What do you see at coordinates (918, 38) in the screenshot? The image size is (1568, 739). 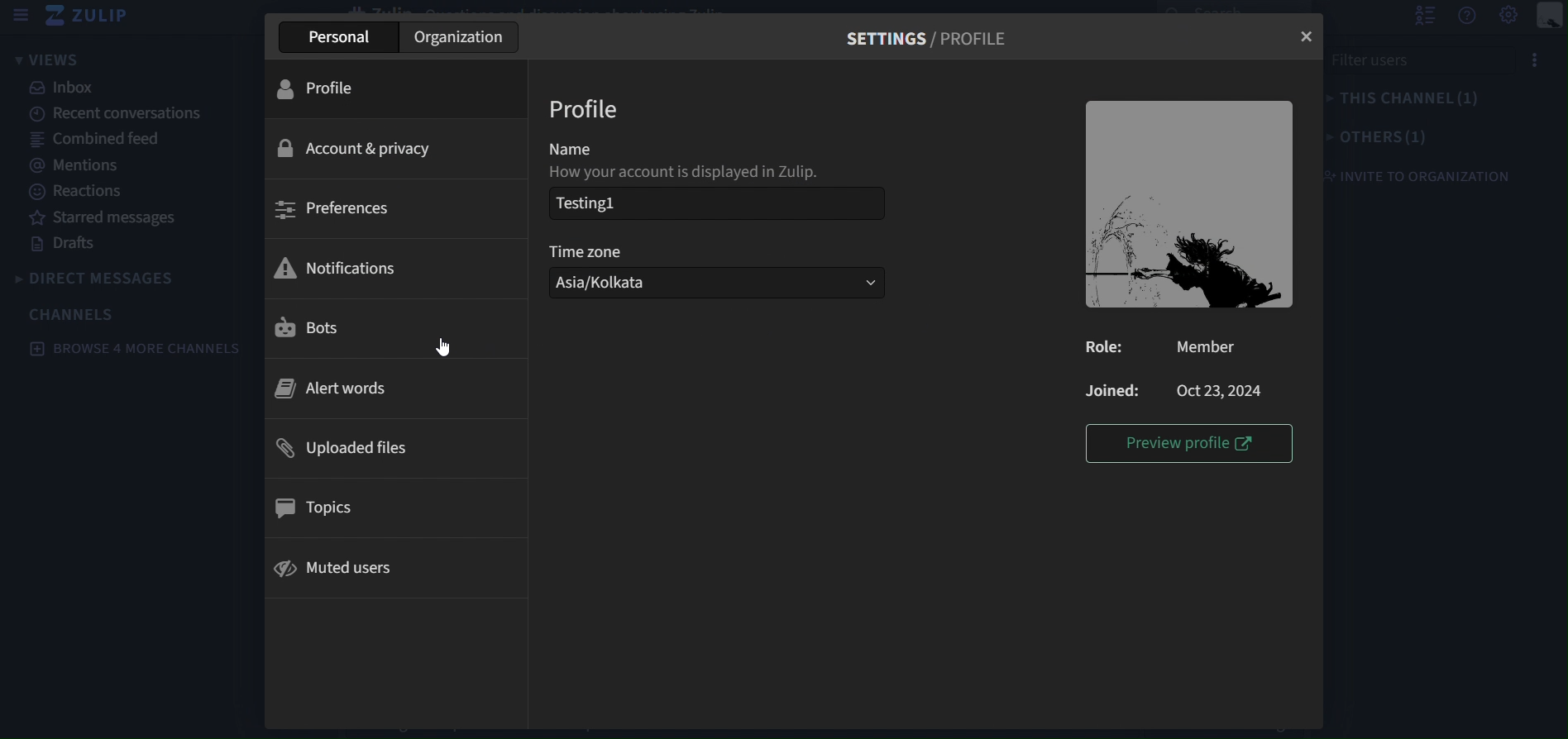 I see `settings/ Profile` at bounding box center [918, 38].